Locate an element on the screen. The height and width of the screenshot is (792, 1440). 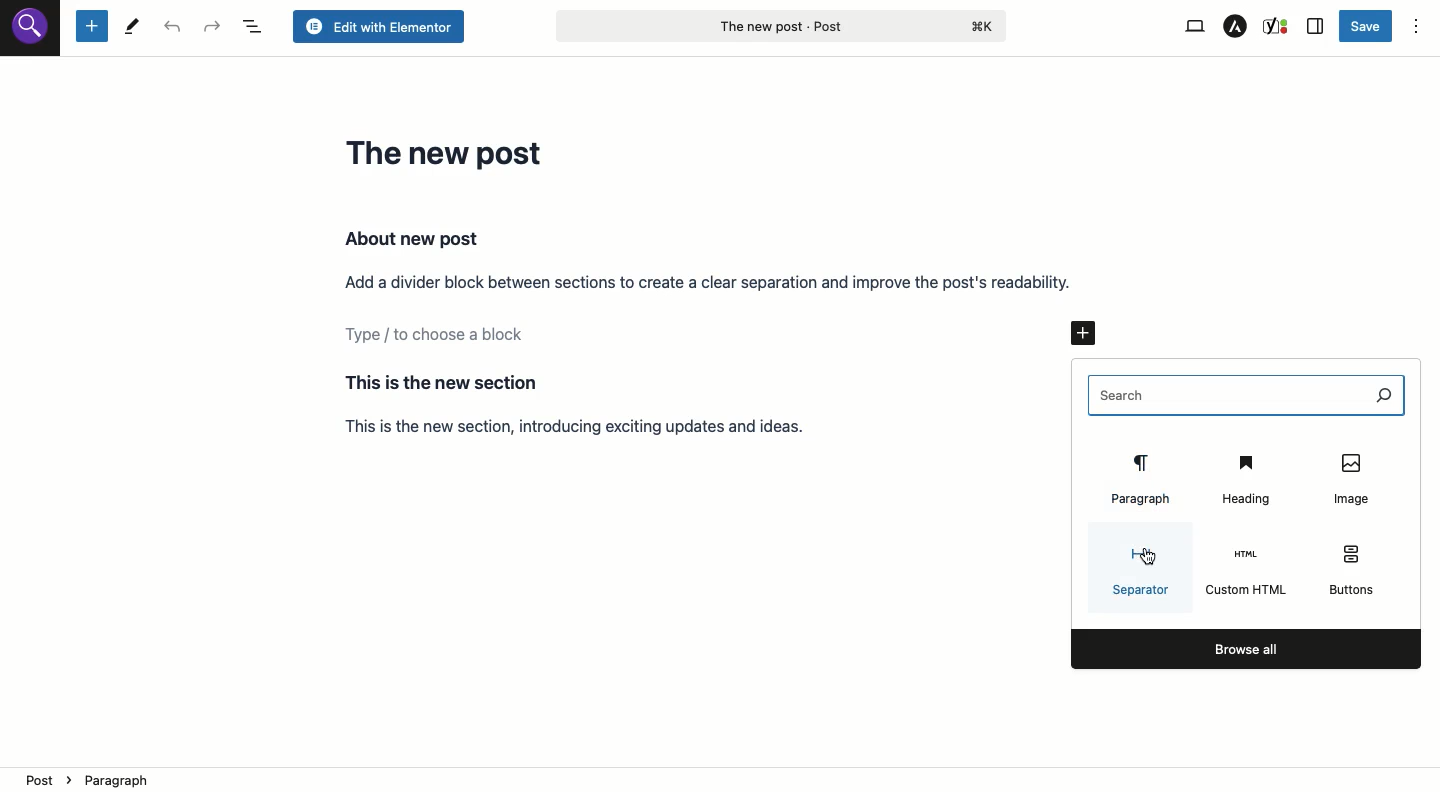
Tools is located at coordinates (132, 28).